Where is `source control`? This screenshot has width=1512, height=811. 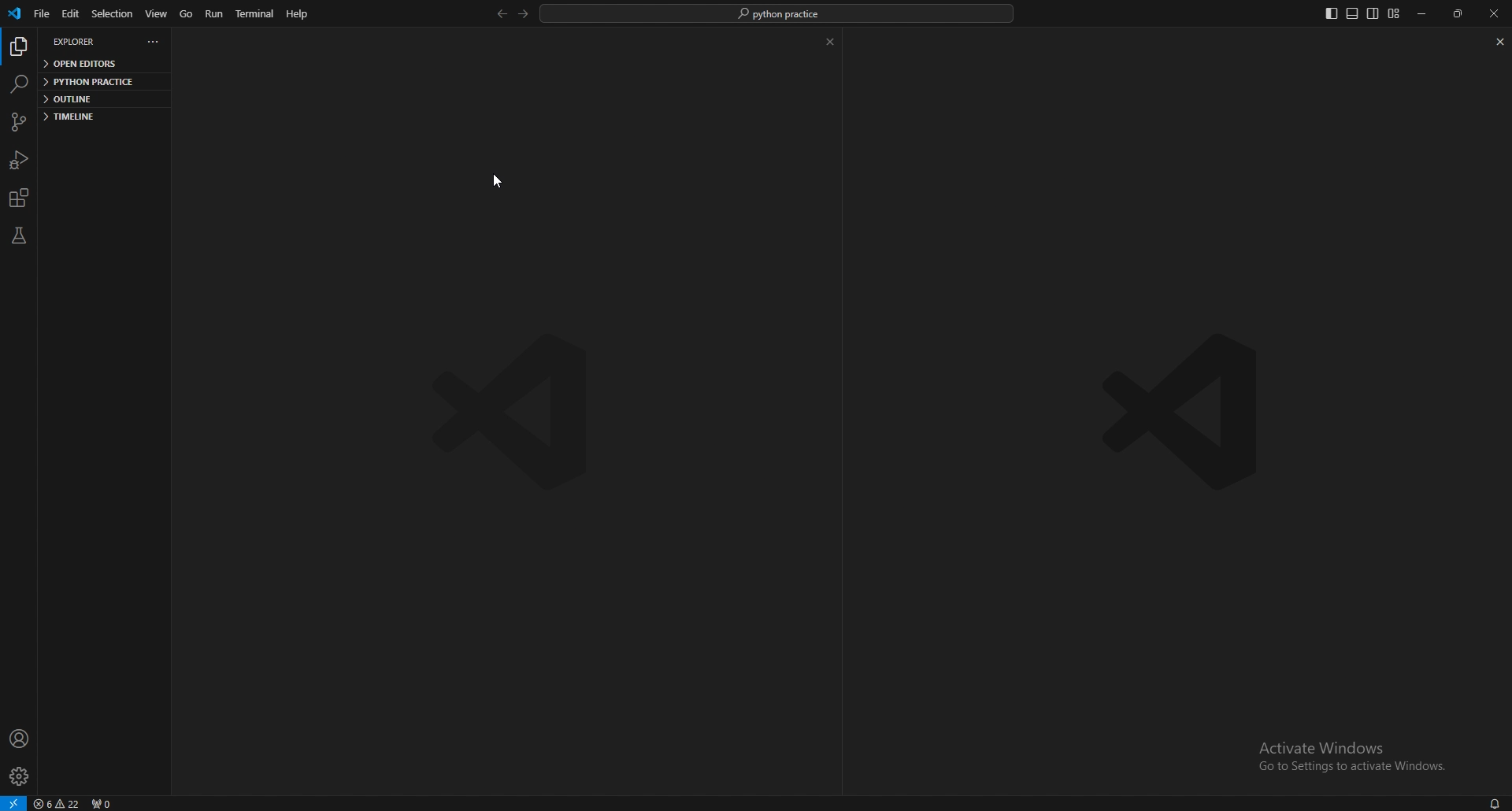
source control is located at coordinates (19, 122).